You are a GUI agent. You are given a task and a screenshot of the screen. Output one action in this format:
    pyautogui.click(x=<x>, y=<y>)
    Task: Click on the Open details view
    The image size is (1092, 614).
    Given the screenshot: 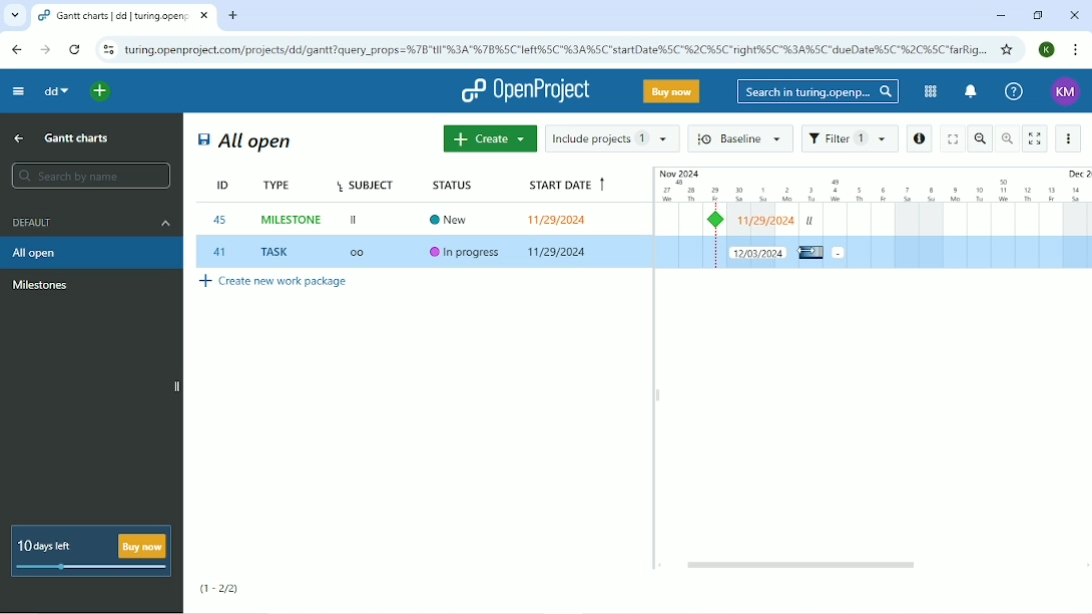 What is the action you would take?
    pyautogui.click(x=919, y=139)
    